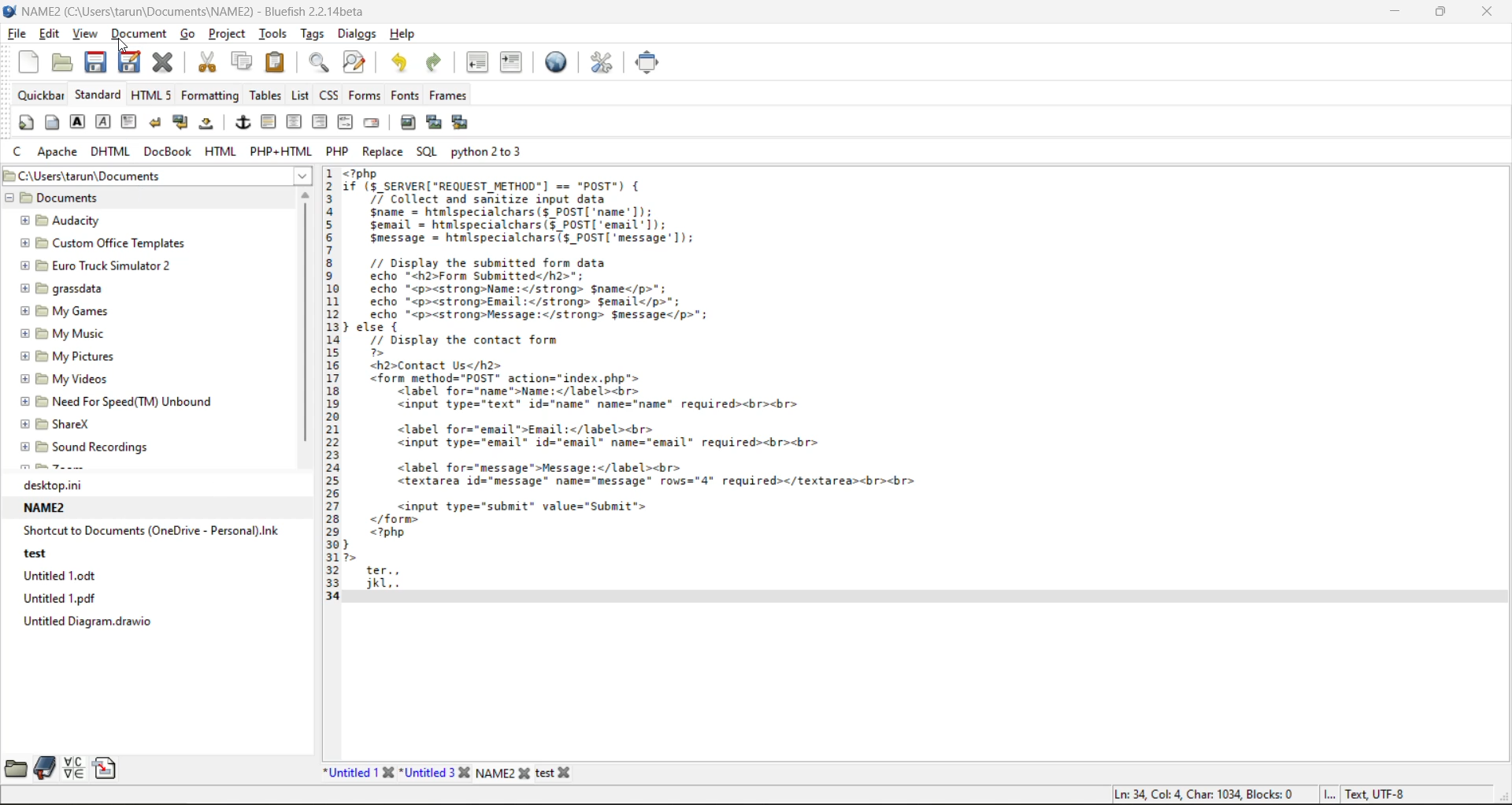 This screenshot has height=805, width=1512. Describe the element at coordinates (78, 221) in the screenshot. I see `audacity` at that location.